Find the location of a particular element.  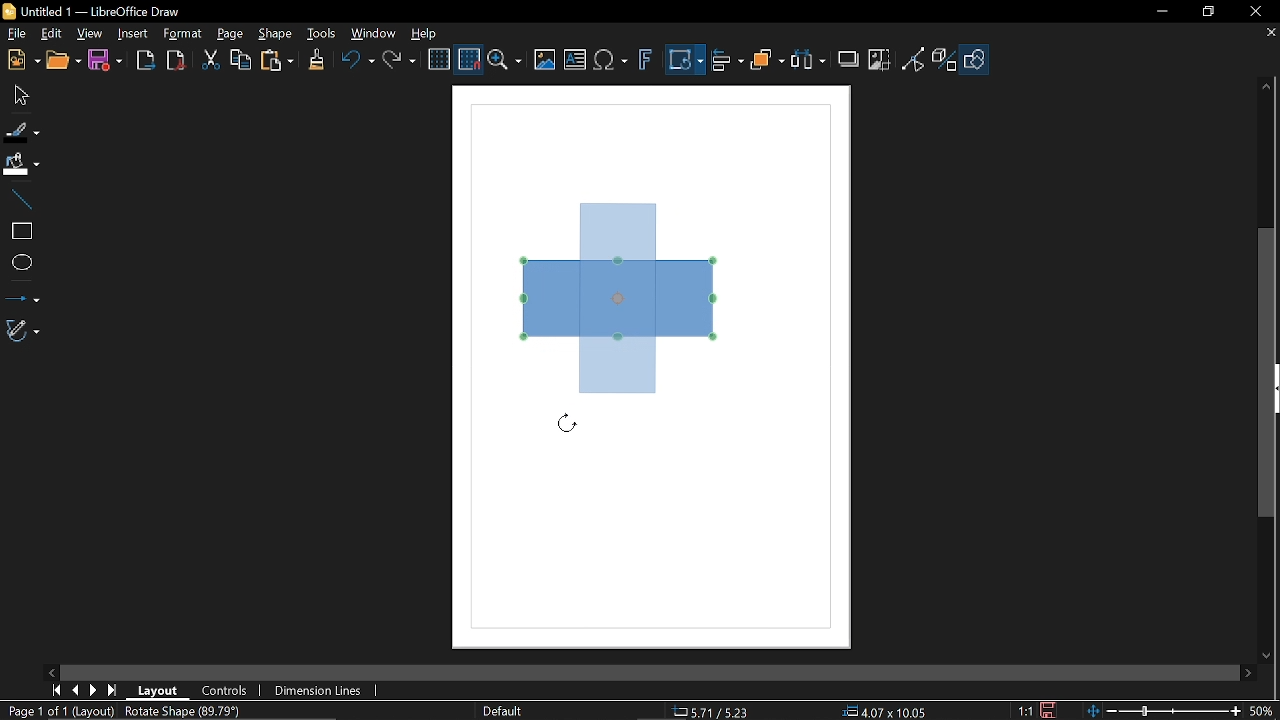

50% (Current Zoom) is located at coordinates (1265, 709).